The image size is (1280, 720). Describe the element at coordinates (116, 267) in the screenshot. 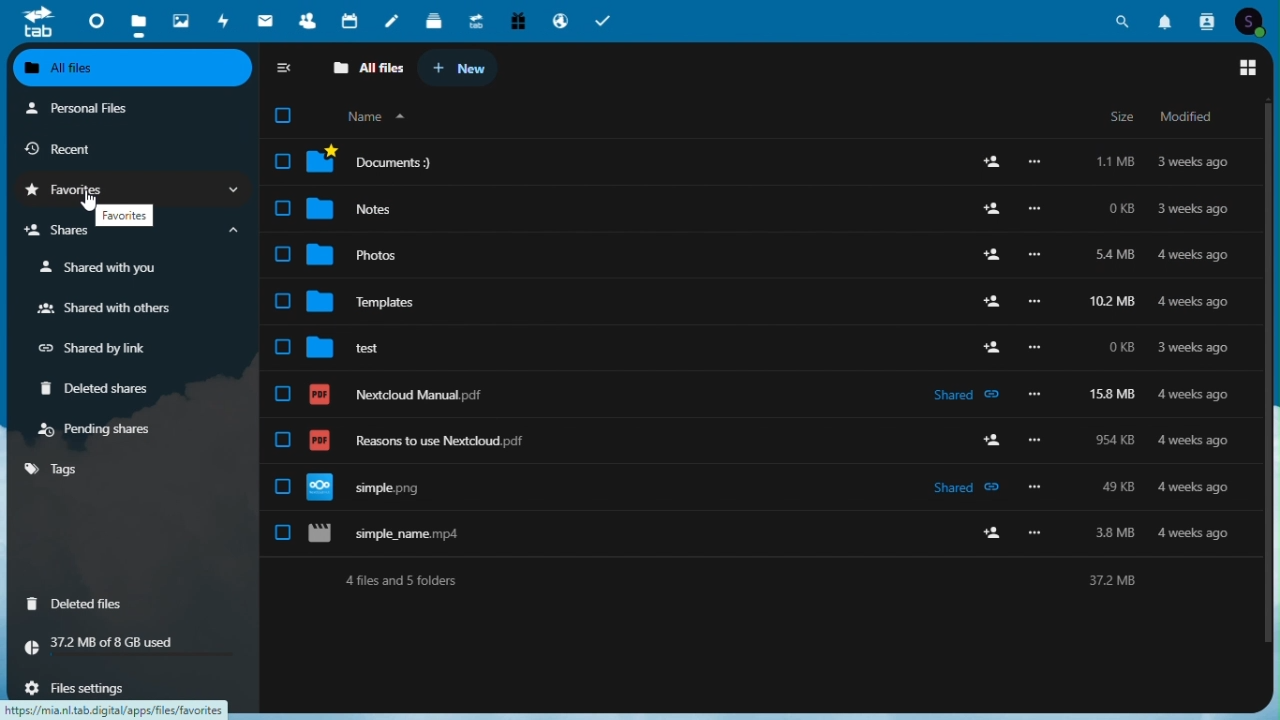

I see `shared with you` at that location.